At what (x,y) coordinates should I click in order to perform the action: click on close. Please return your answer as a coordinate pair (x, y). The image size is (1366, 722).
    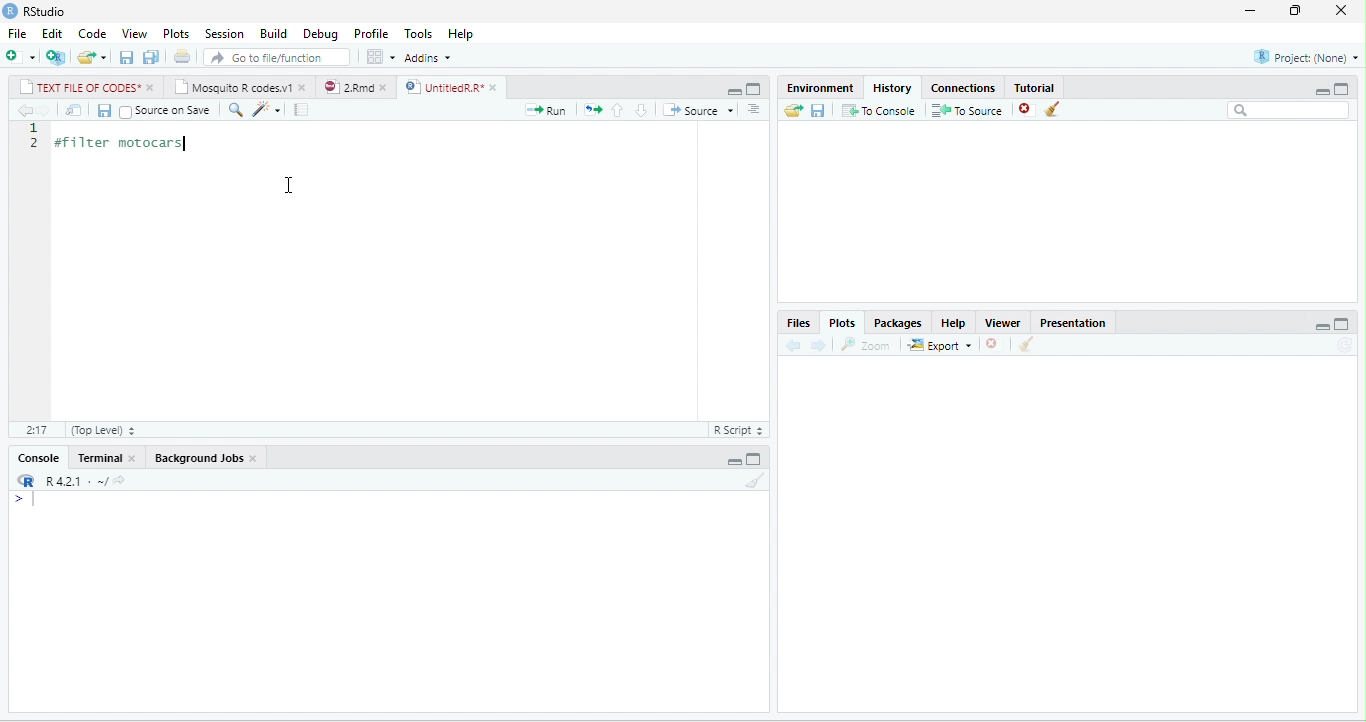
    Looking at the image, I should click on (134, 457).